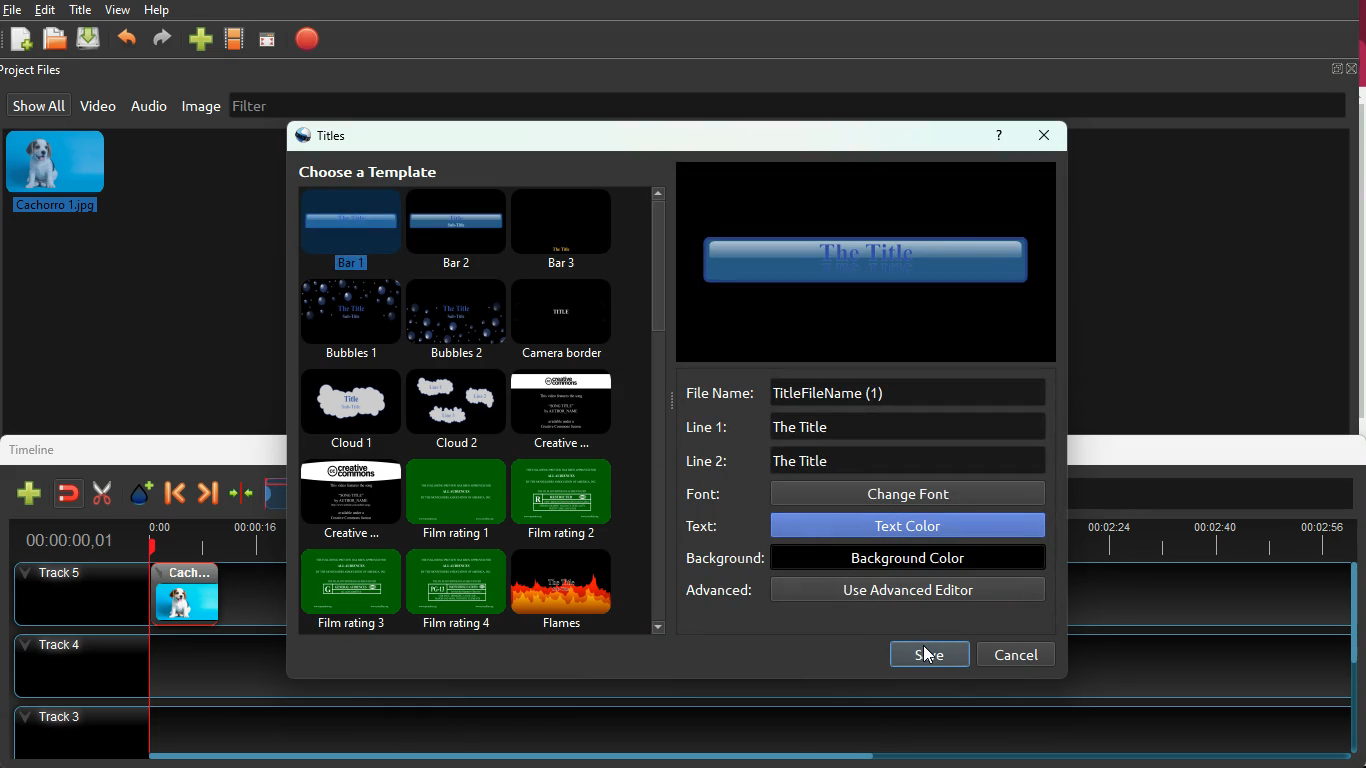 Image resolution: width=1366 pixels, height=768 pixels. Describe the element at coordinates (158, 12) in the screenshot. I see `help` at that location.